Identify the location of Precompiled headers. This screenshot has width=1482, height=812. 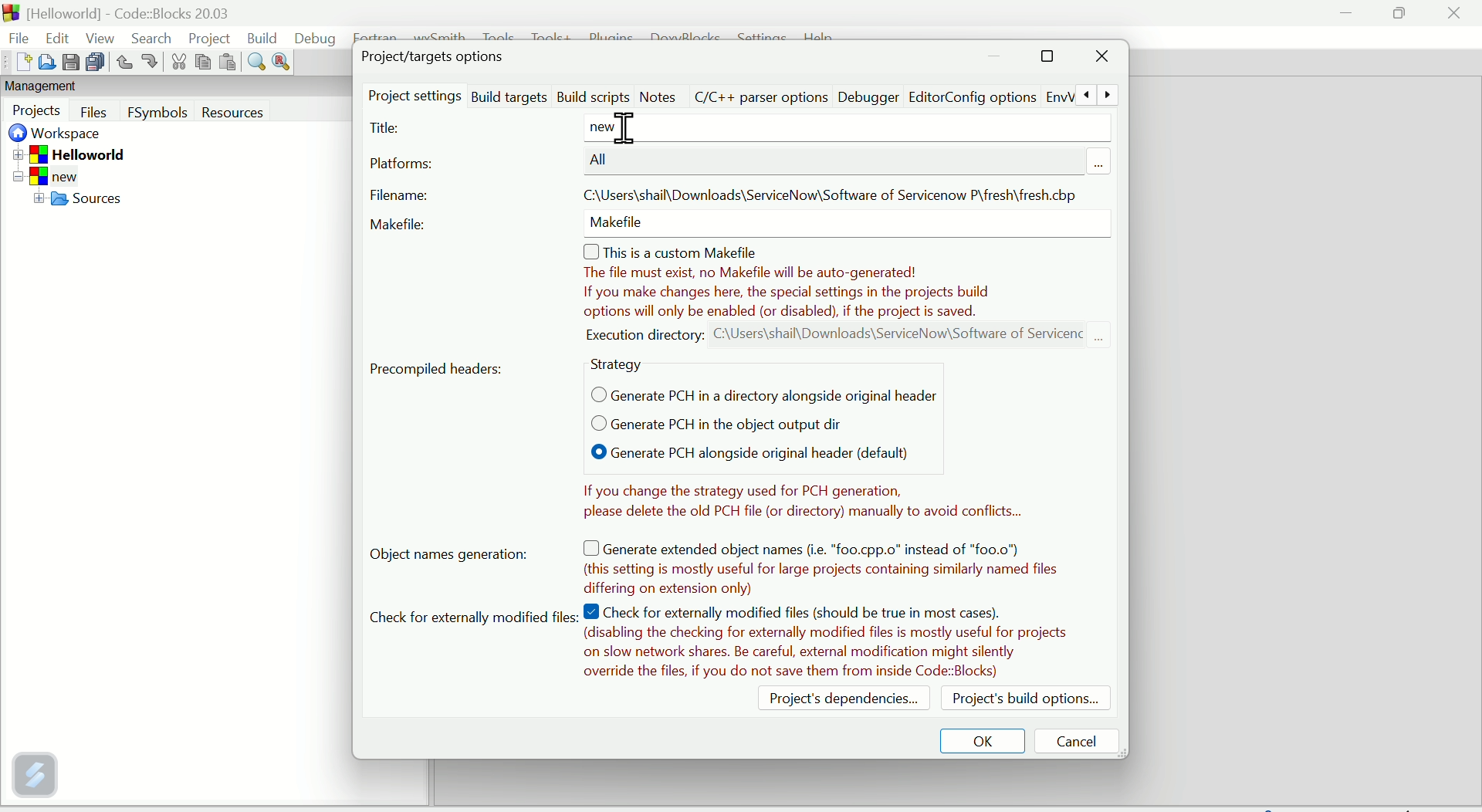
(440, 367).